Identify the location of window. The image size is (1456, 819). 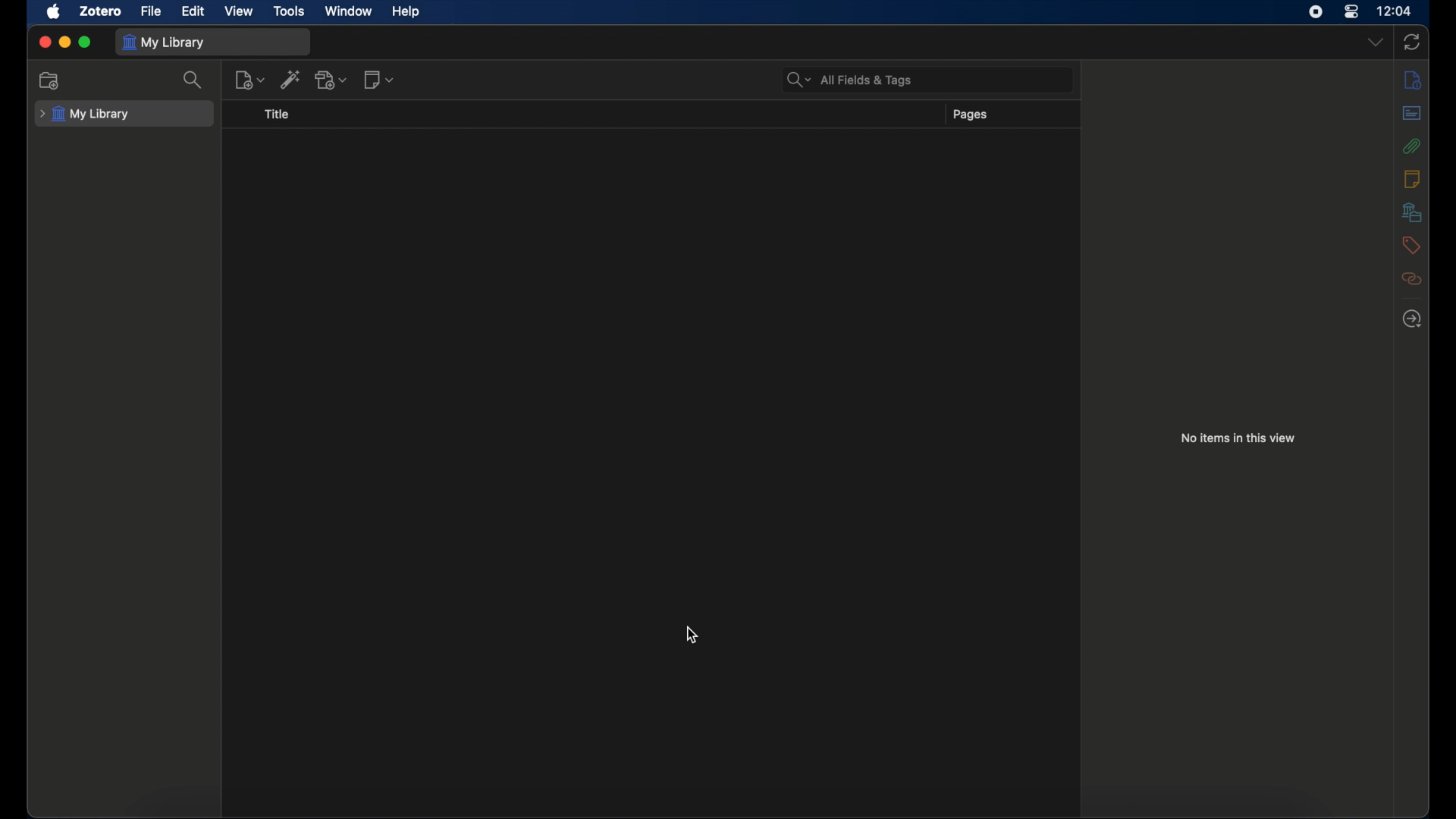
(347, 12).